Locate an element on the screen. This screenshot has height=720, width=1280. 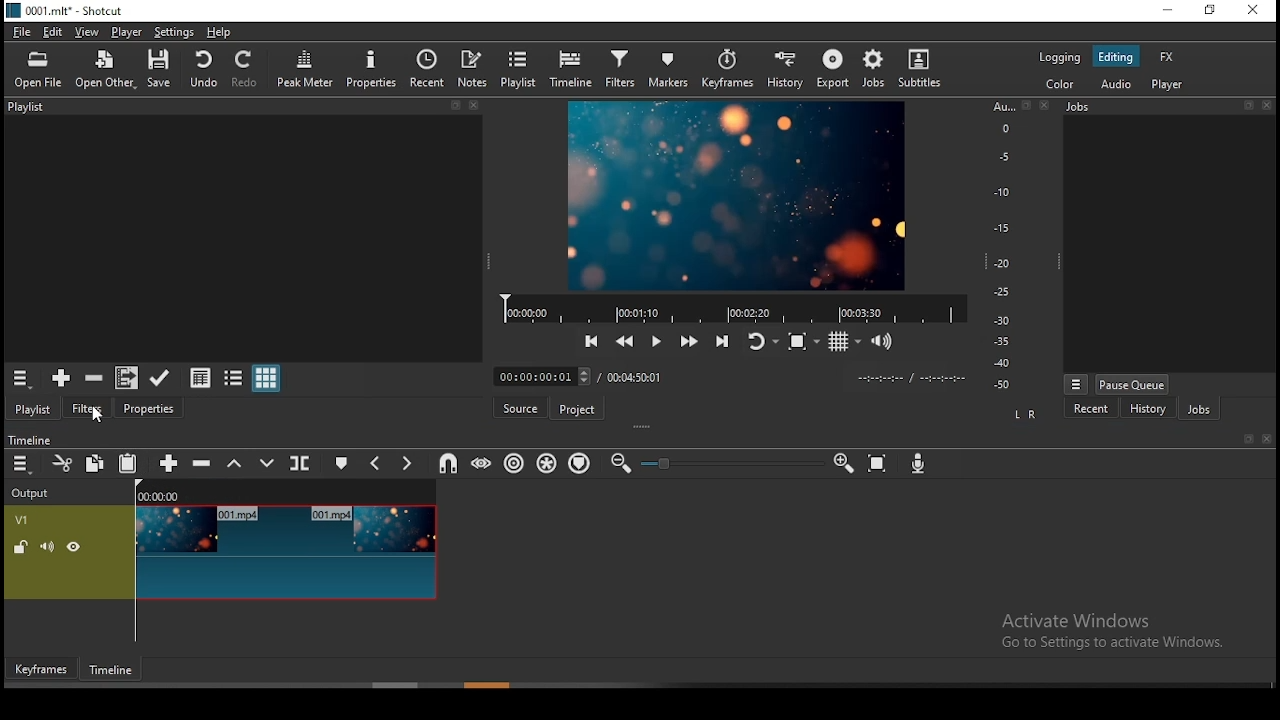
skip to previous point is located at coordinates (593, 338).